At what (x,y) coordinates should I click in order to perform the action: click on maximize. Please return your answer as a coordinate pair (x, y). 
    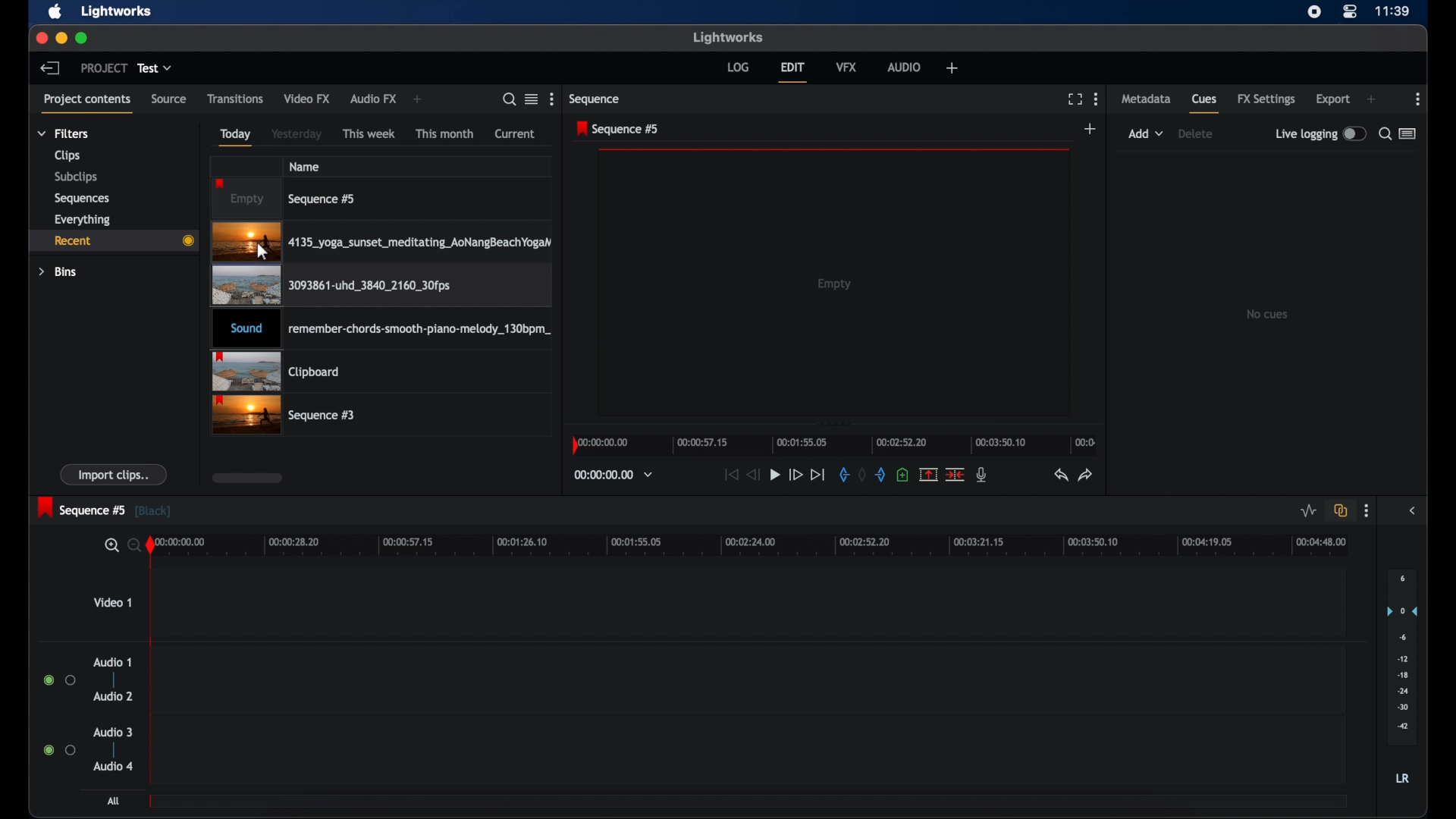
    Looking at the image, I should click on (82, 38).